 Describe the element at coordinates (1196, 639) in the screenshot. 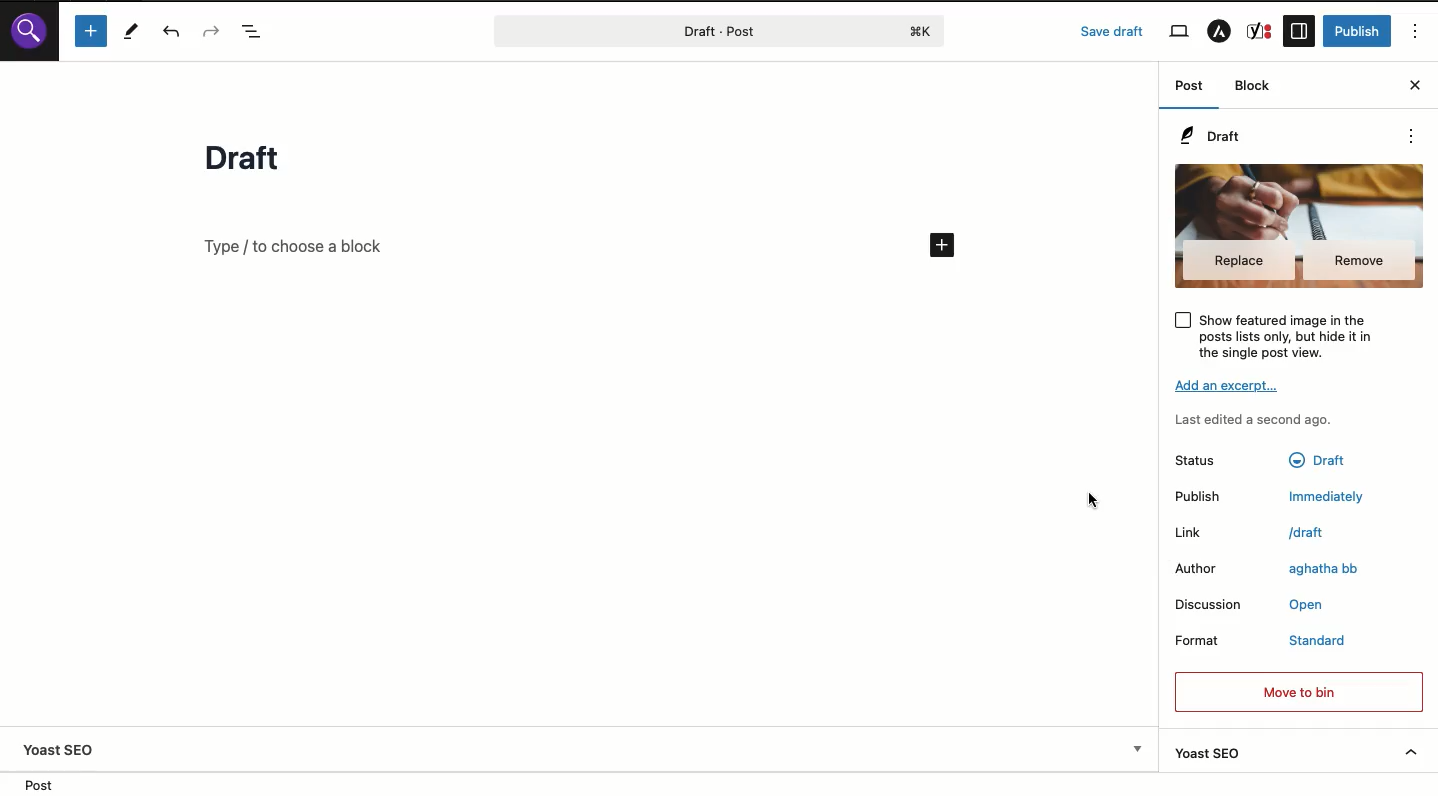

I see `Format ` at that location.